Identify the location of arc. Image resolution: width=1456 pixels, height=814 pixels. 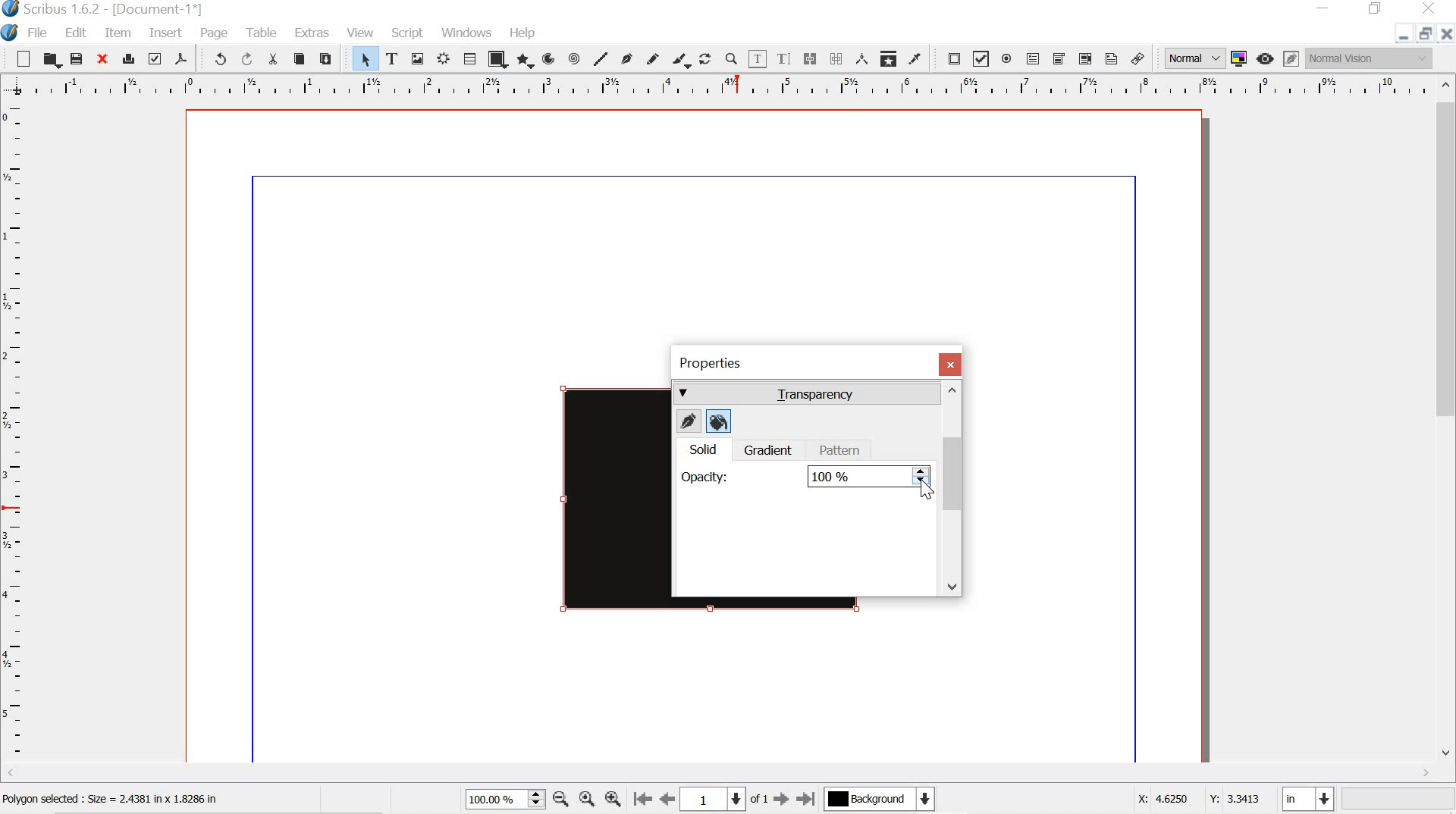
(550, 59).